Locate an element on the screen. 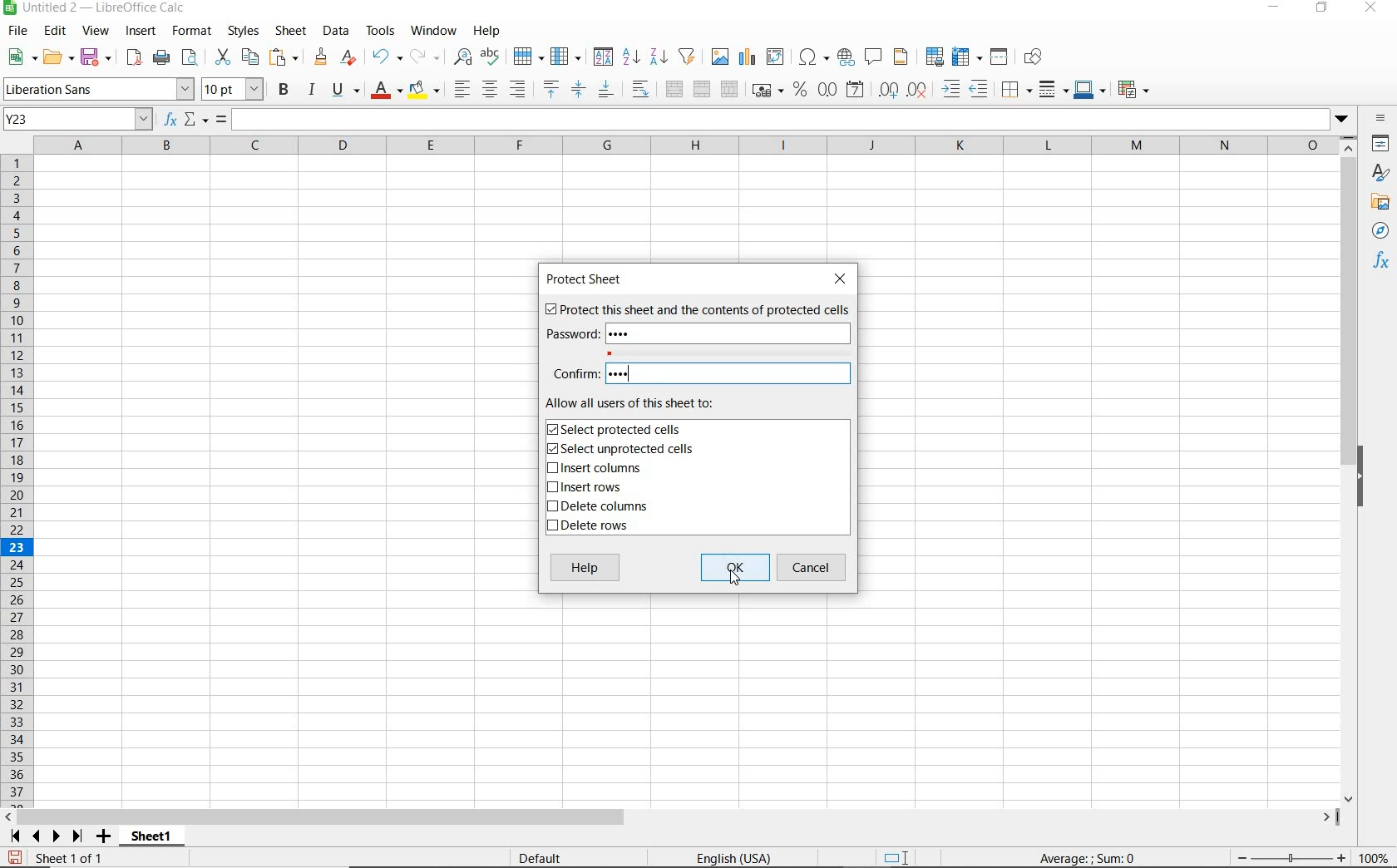 The image size is (1397, 868). ZOOM FACTOR is located at coordinates (1375, 859).